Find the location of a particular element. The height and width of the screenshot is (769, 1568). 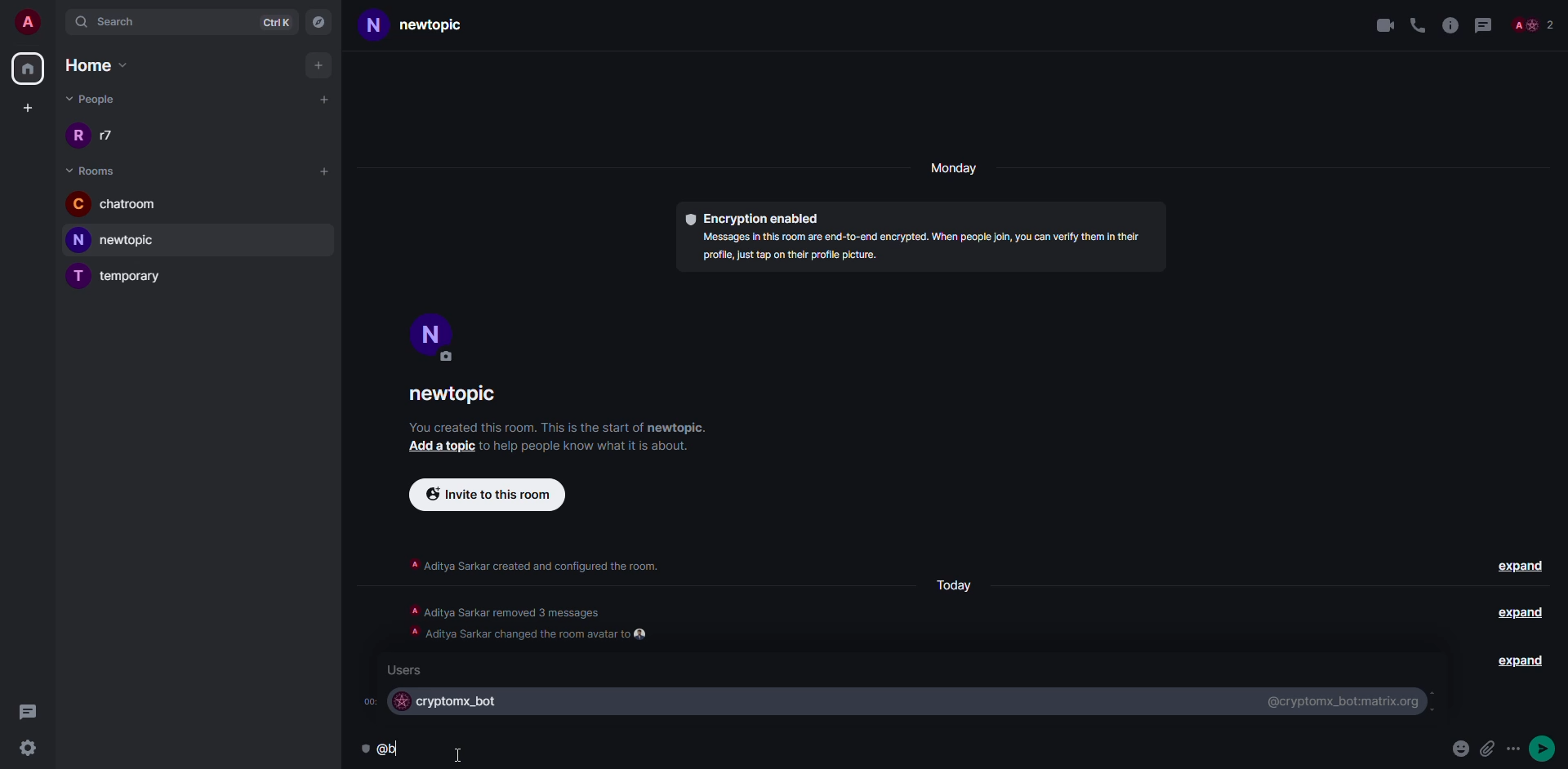

create space is located at coordinates (24, 108).